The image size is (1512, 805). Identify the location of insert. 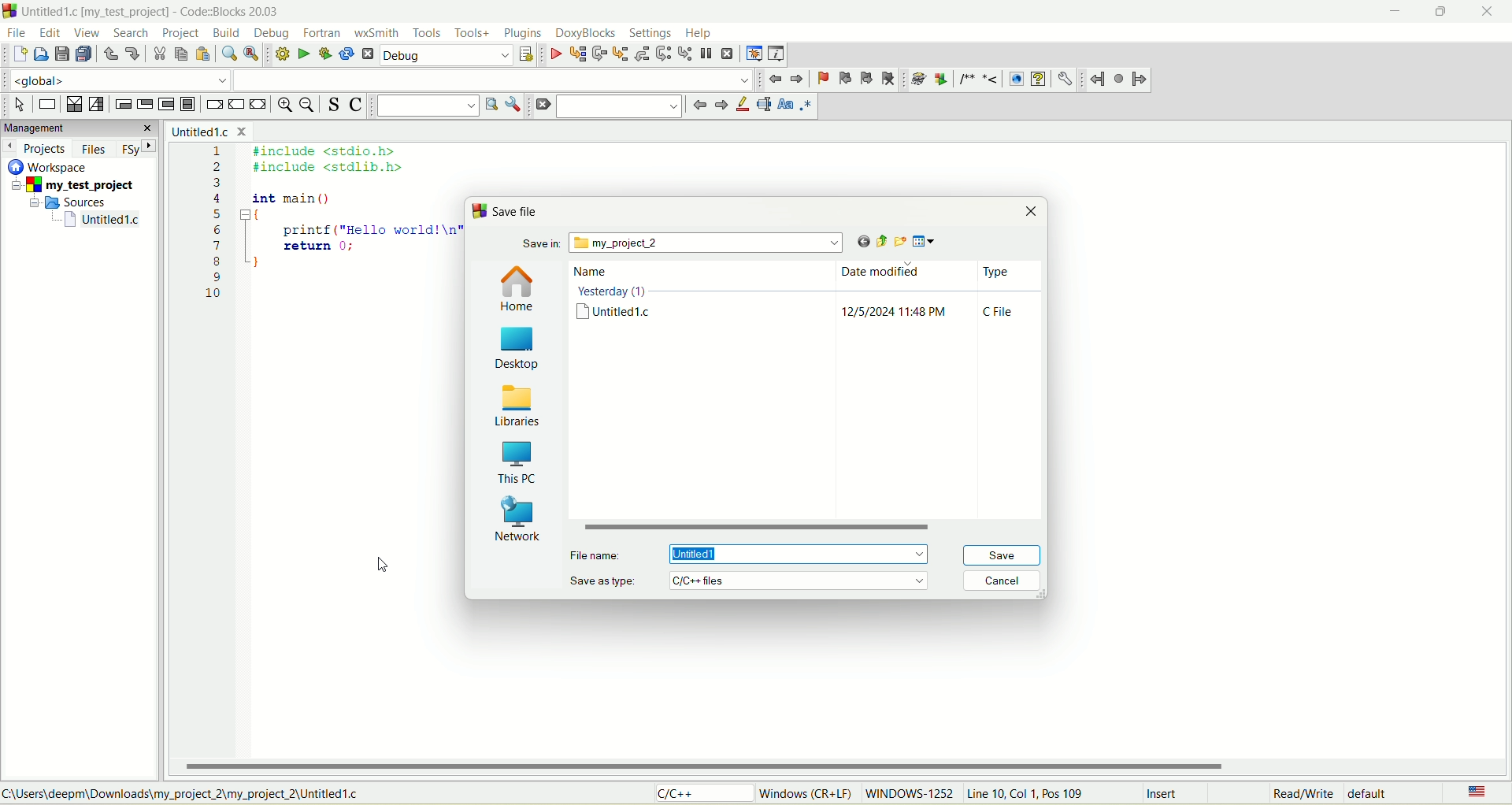
(1165, 795).